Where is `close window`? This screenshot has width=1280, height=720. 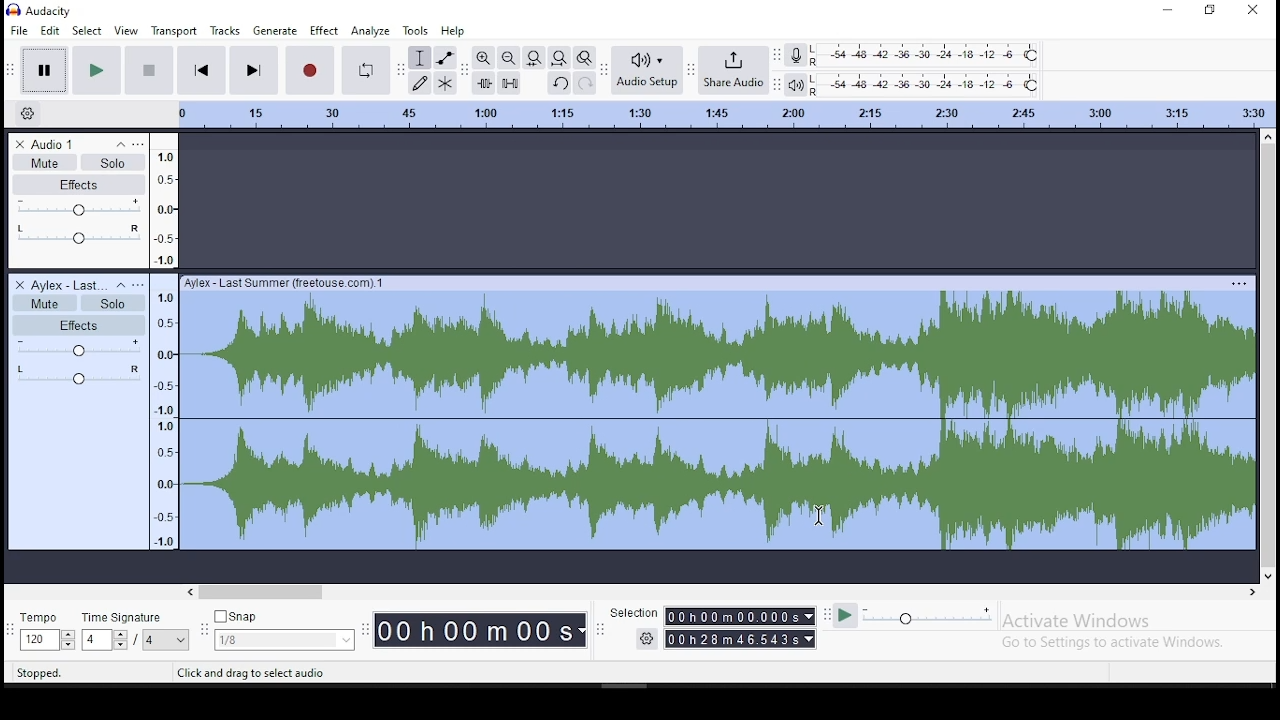
close window is located at coordinates (1257, 10).